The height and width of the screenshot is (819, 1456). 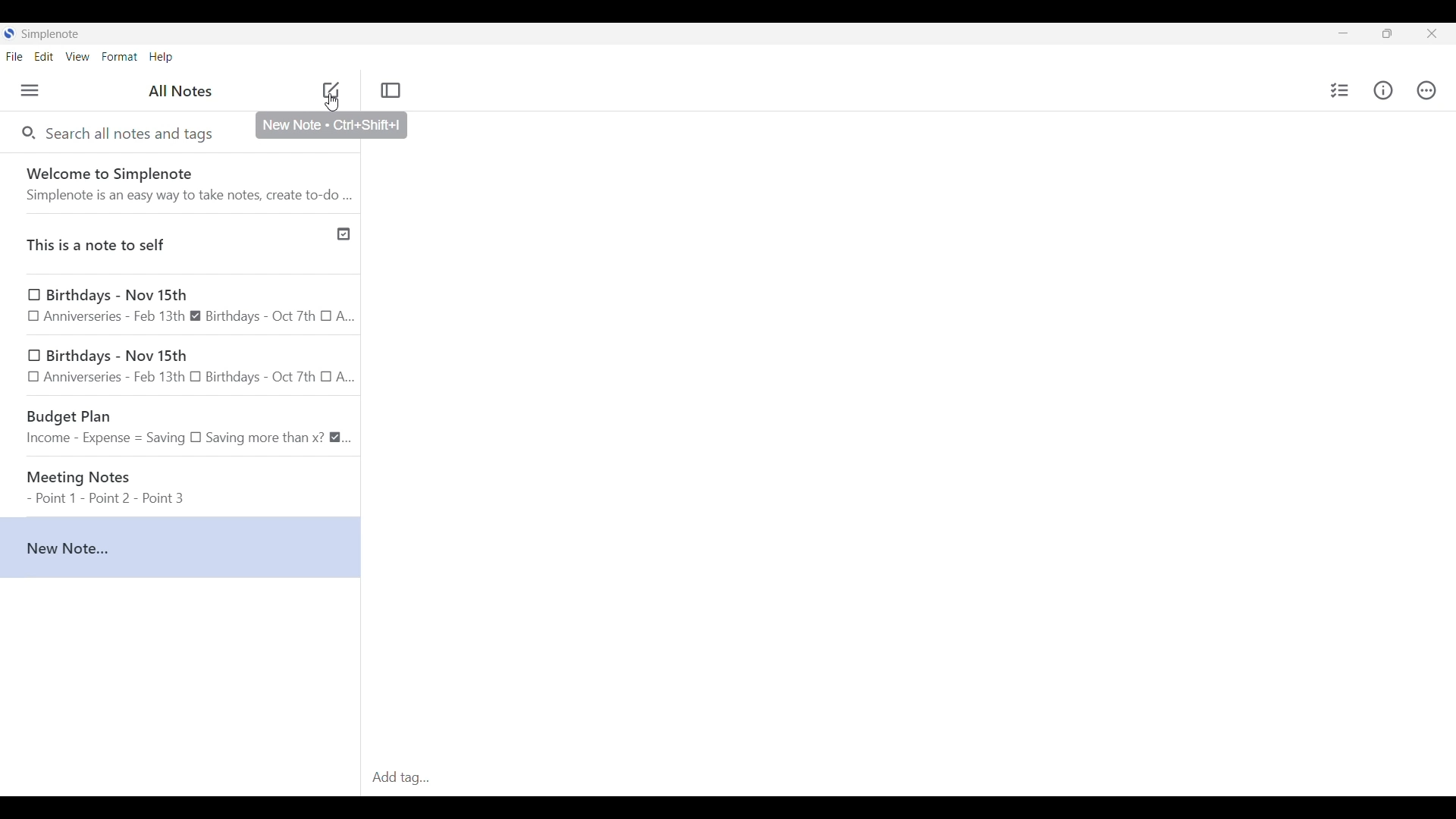 I want to click on Add new note, so click(x=331, y=90).